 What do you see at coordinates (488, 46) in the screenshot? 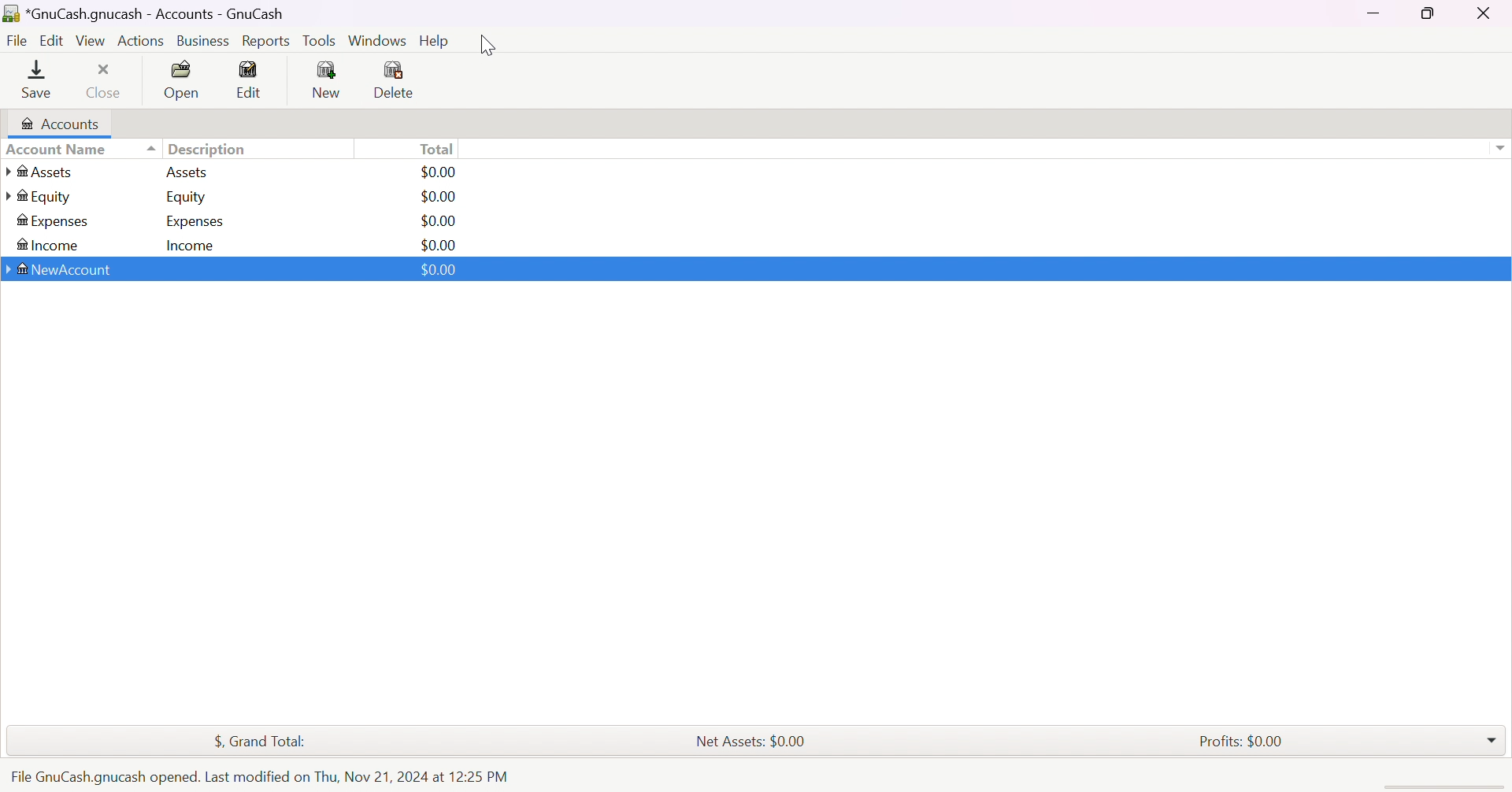
I see `Cursor` at bounding box center [488, 46].